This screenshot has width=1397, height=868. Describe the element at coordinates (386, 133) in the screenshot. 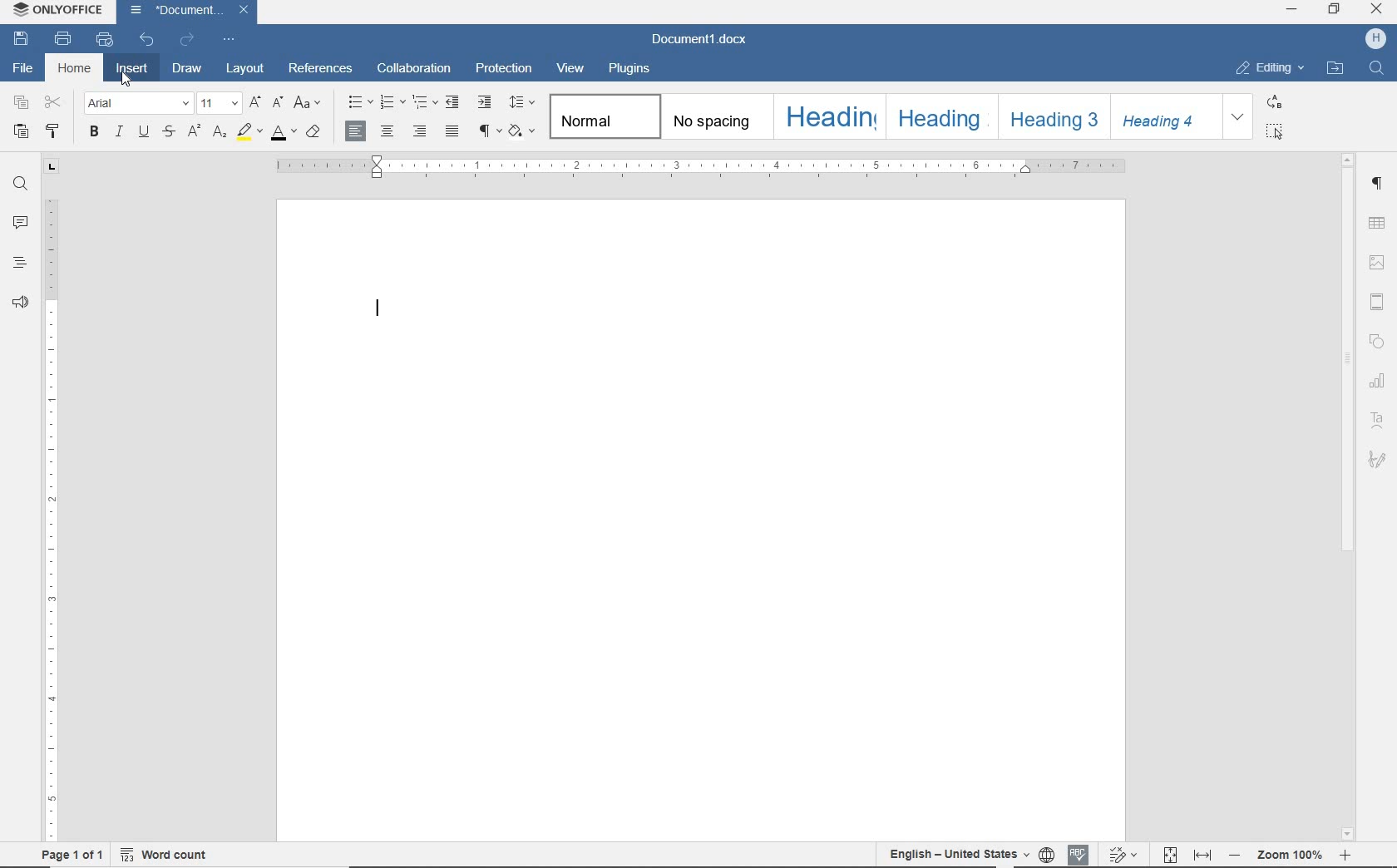

I see `align center` at that location.